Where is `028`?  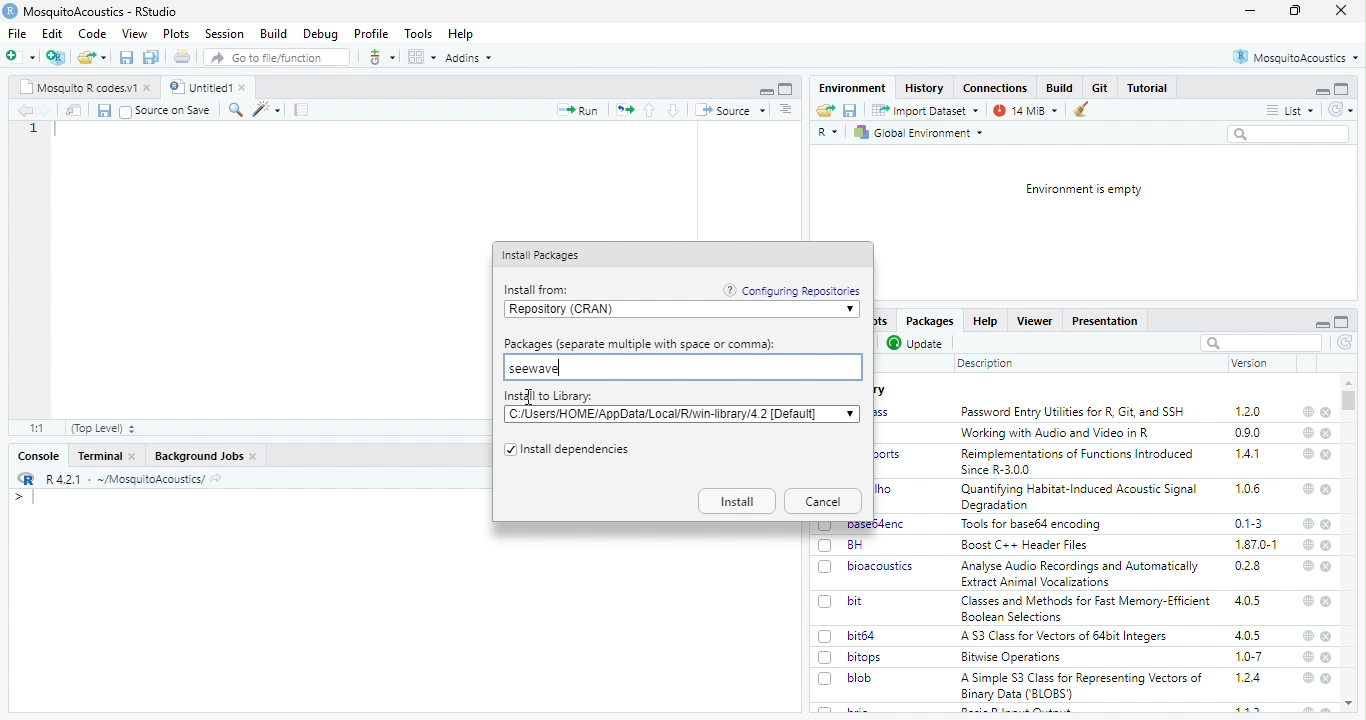 028 is located at coordinates (1248, 566).